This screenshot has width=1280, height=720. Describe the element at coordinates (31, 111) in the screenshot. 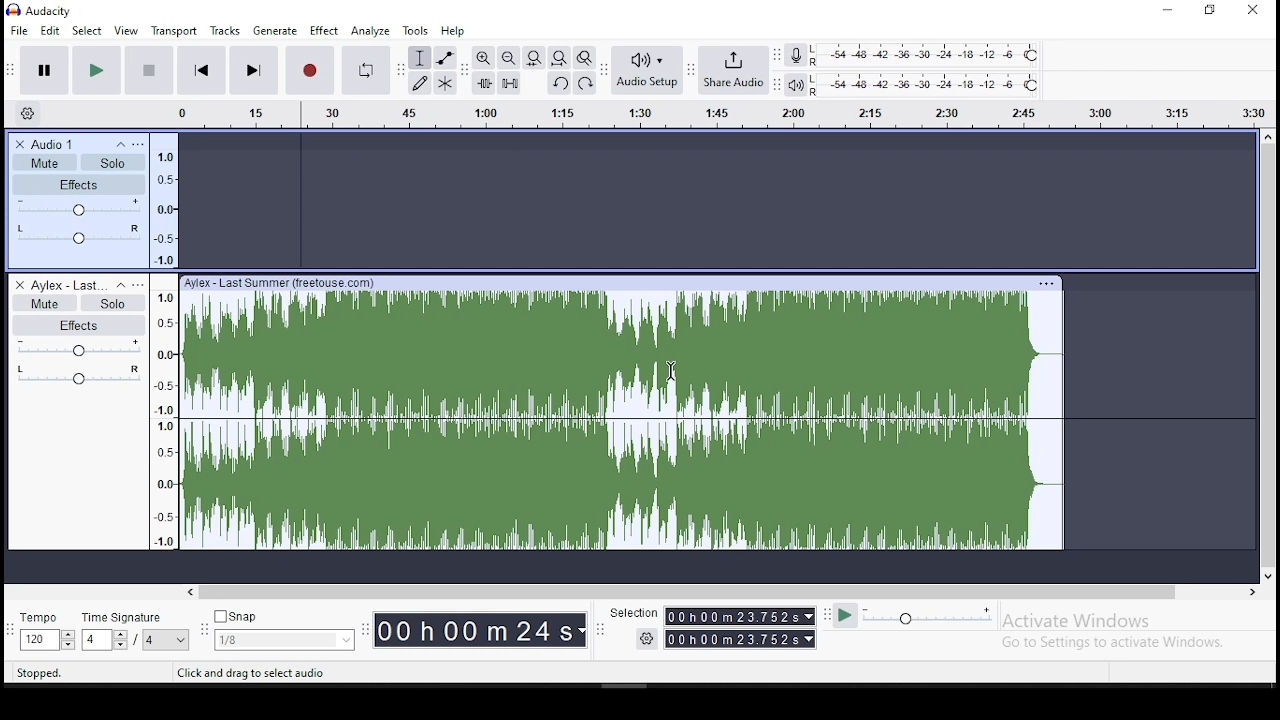

I see `settings` at that location.